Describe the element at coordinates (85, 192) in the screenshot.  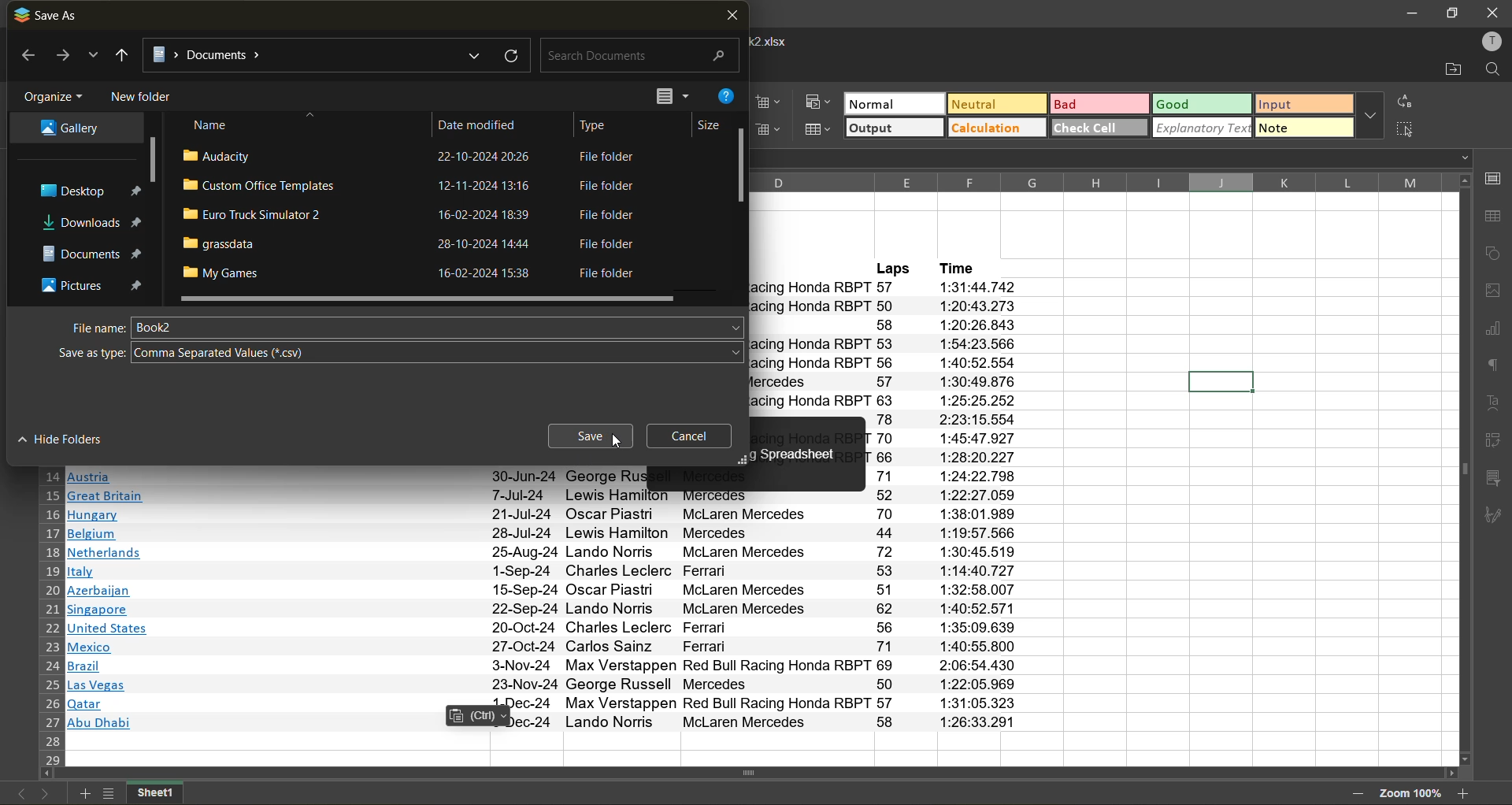
I see `folder` at that location.